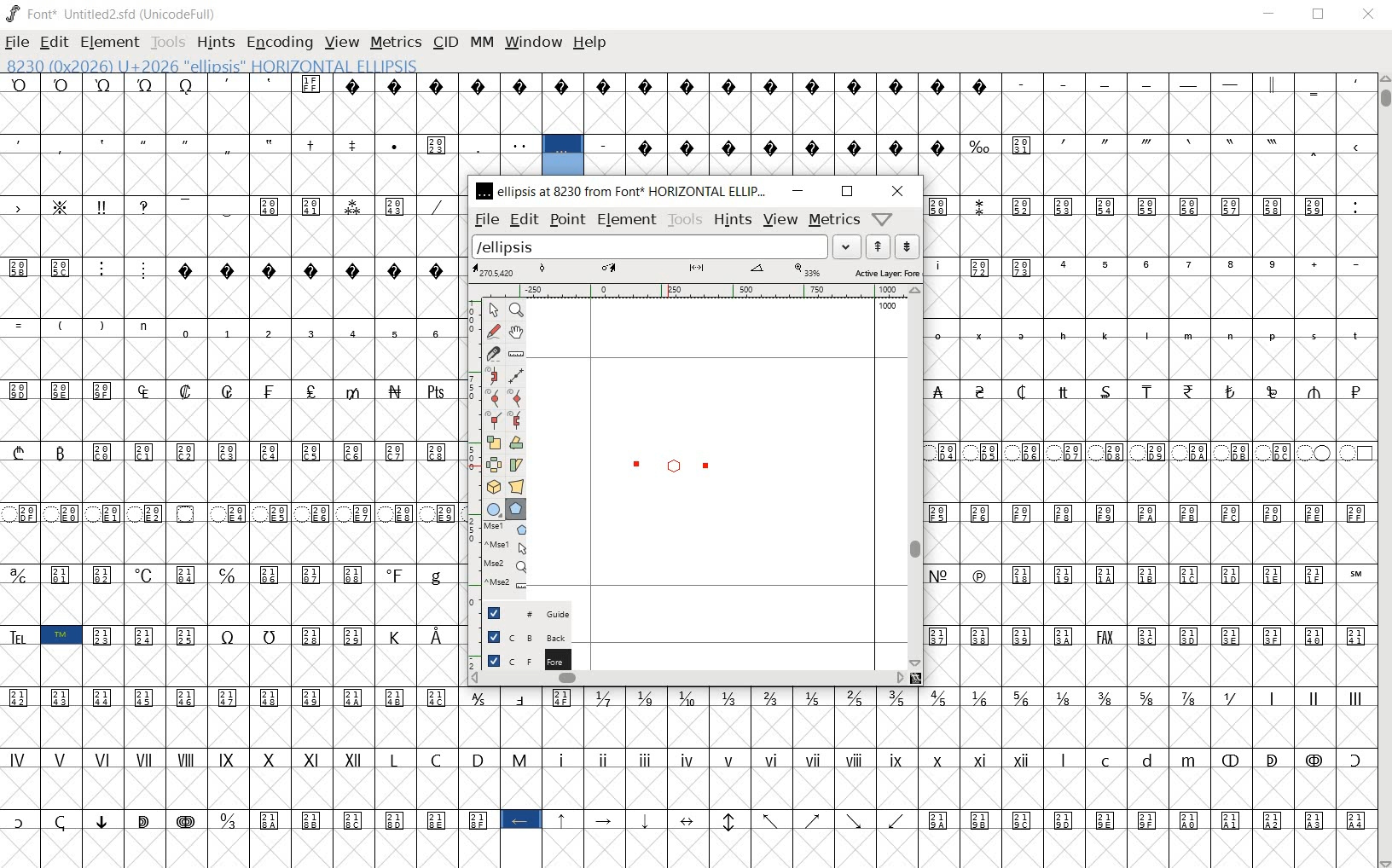  Describe the element at coordinates (698, 271) in the screenshot. I see `active layer: FOREGROUND` at that location.